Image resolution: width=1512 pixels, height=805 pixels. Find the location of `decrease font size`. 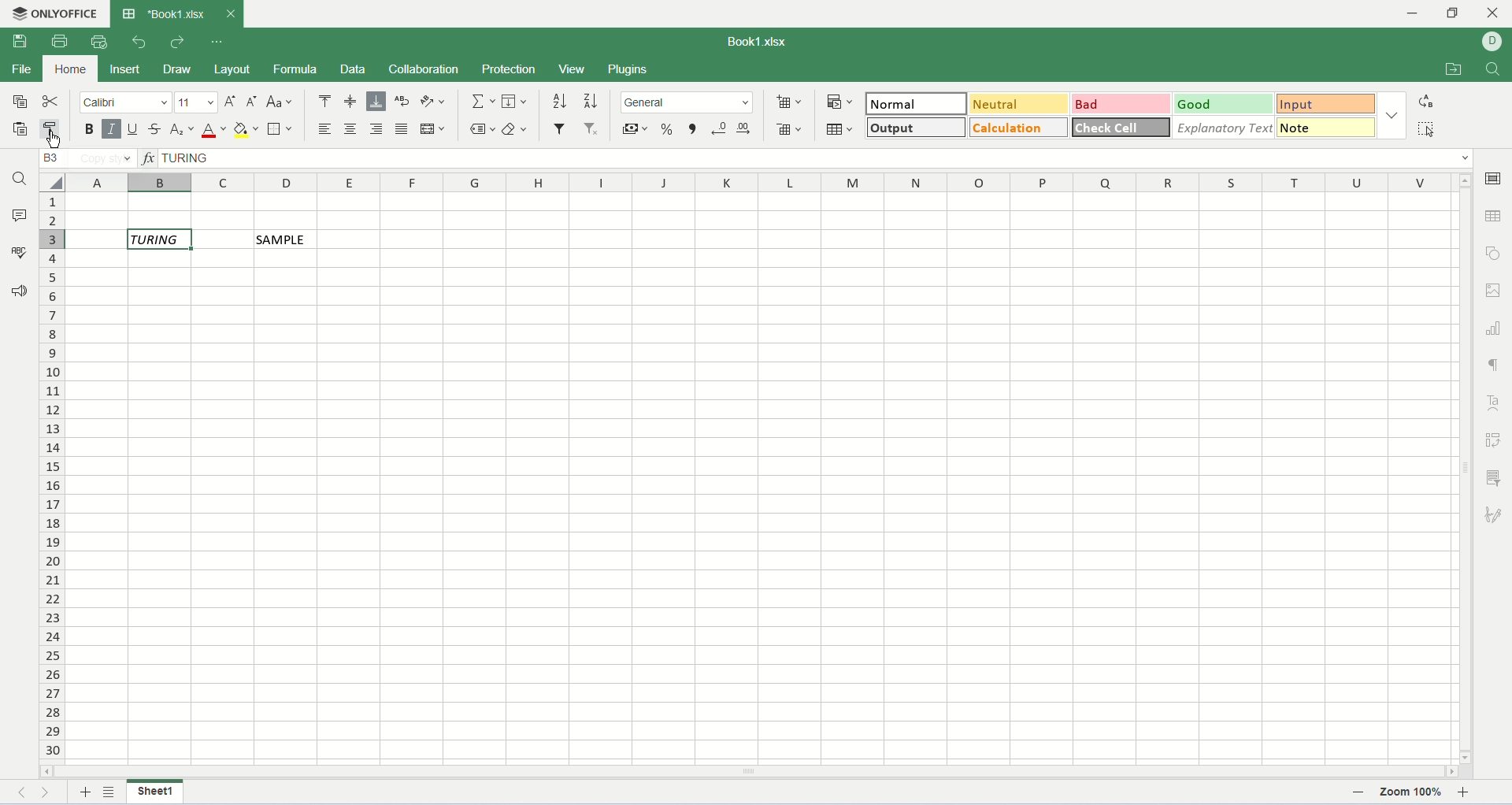

decrease font size is located at coordinates (252, 102).